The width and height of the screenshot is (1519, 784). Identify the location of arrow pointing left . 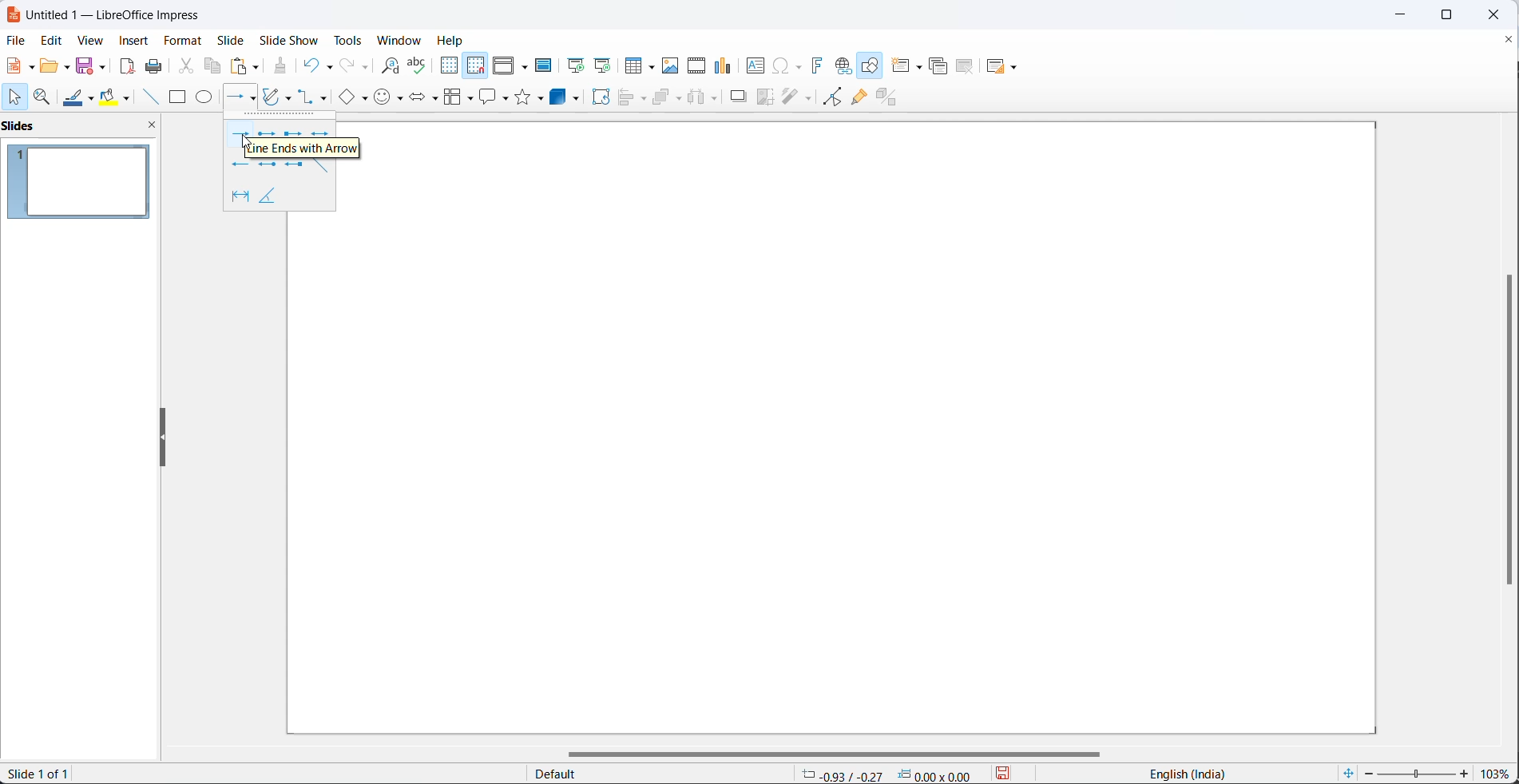
(239, 166).